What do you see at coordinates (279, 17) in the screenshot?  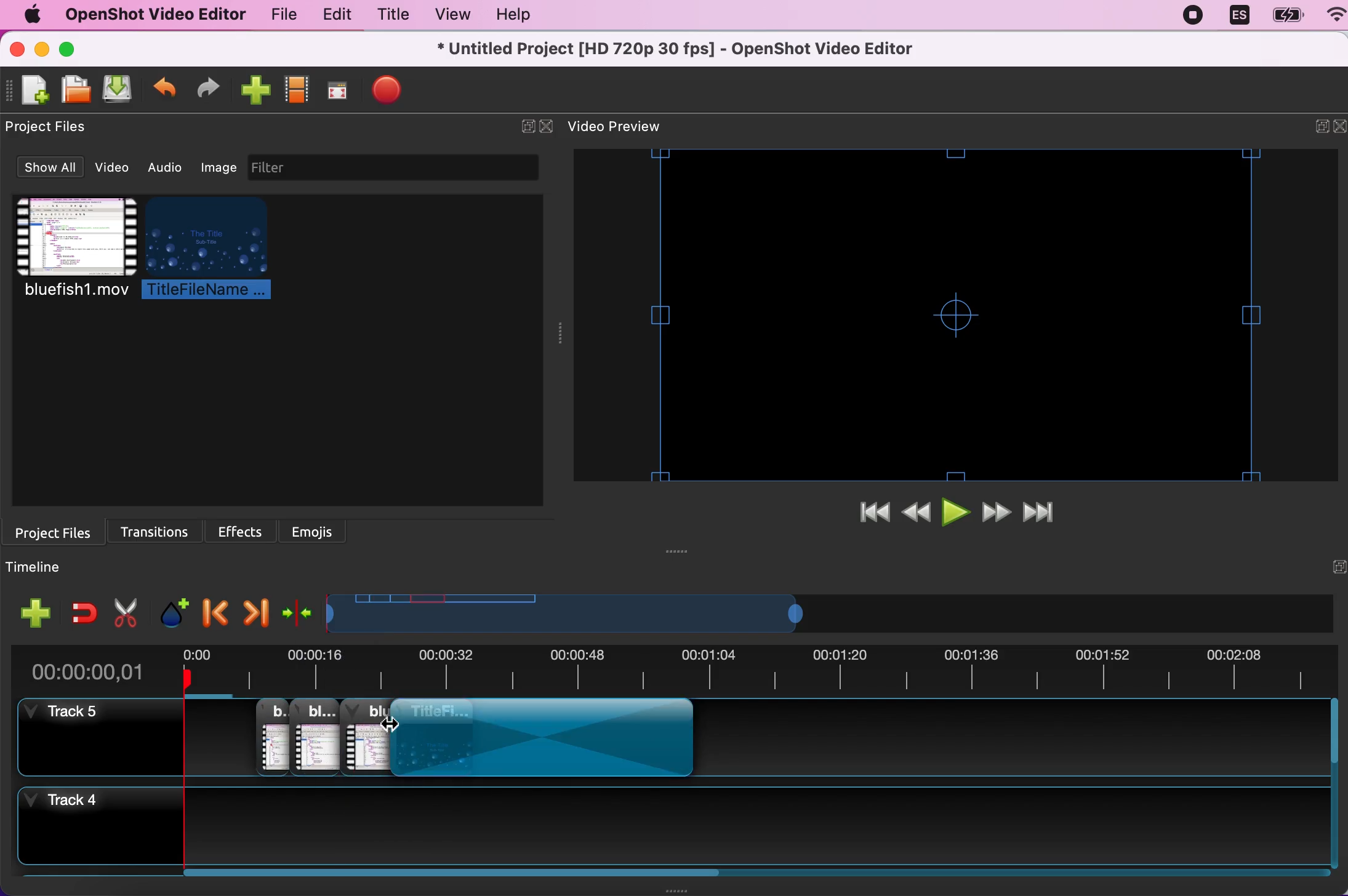 I see `file` at bounding box center [279, 17].